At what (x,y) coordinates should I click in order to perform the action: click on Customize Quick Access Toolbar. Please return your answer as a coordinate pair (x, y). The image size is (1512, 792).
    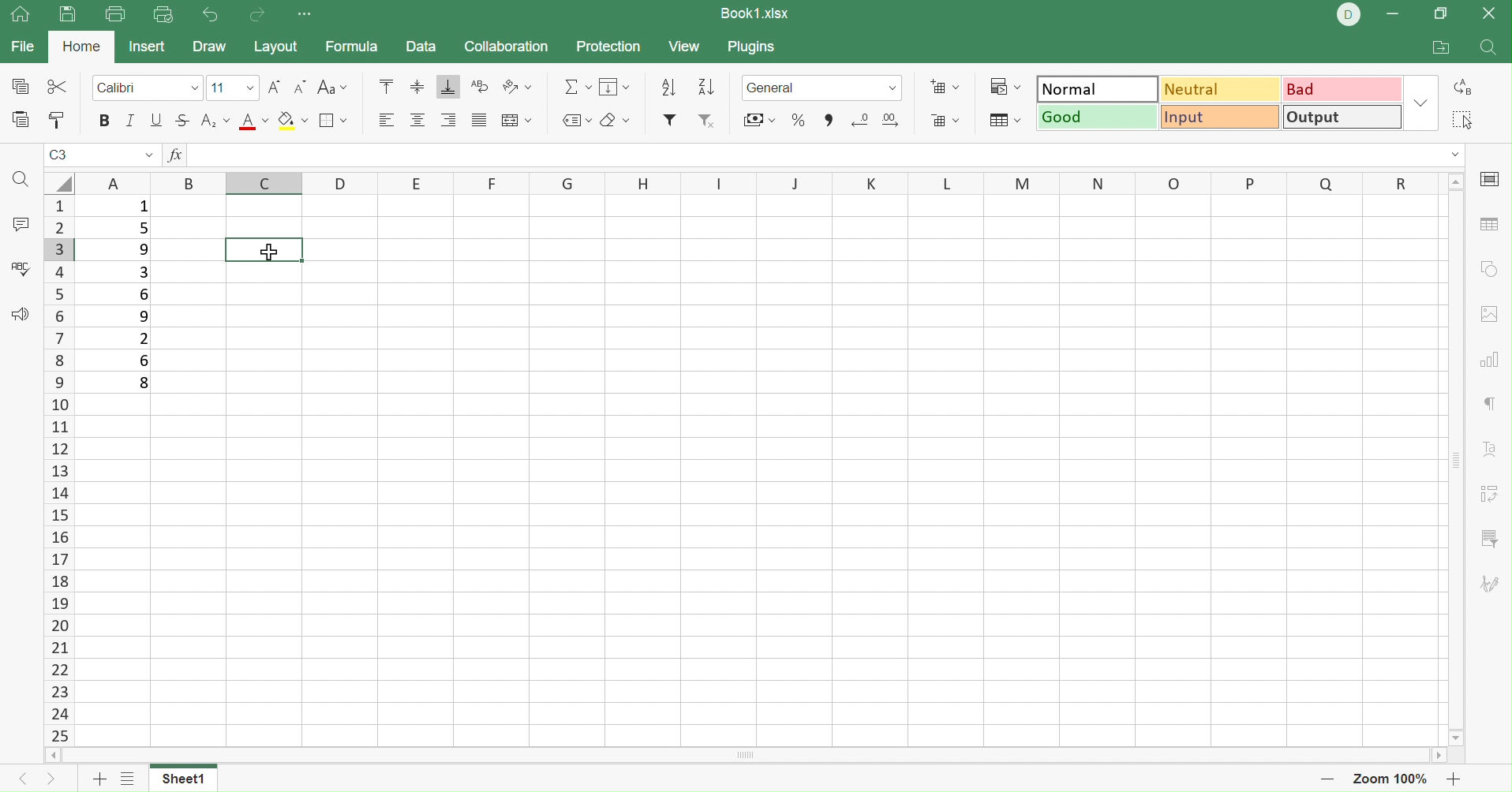
    Looking at the image, I should click on (306, 16).